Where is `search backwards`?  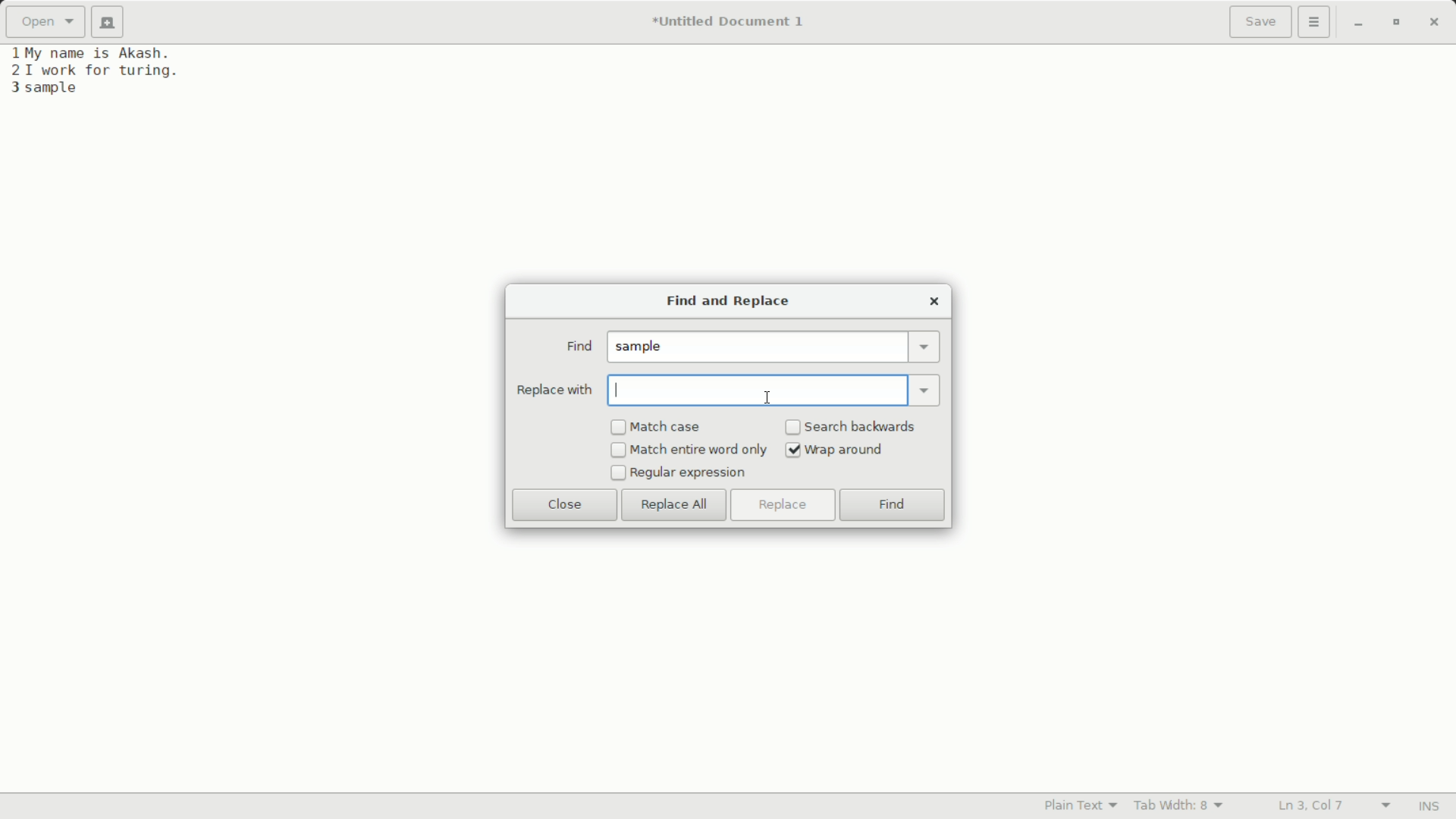
search backwards is located at coordinates (862, 426).